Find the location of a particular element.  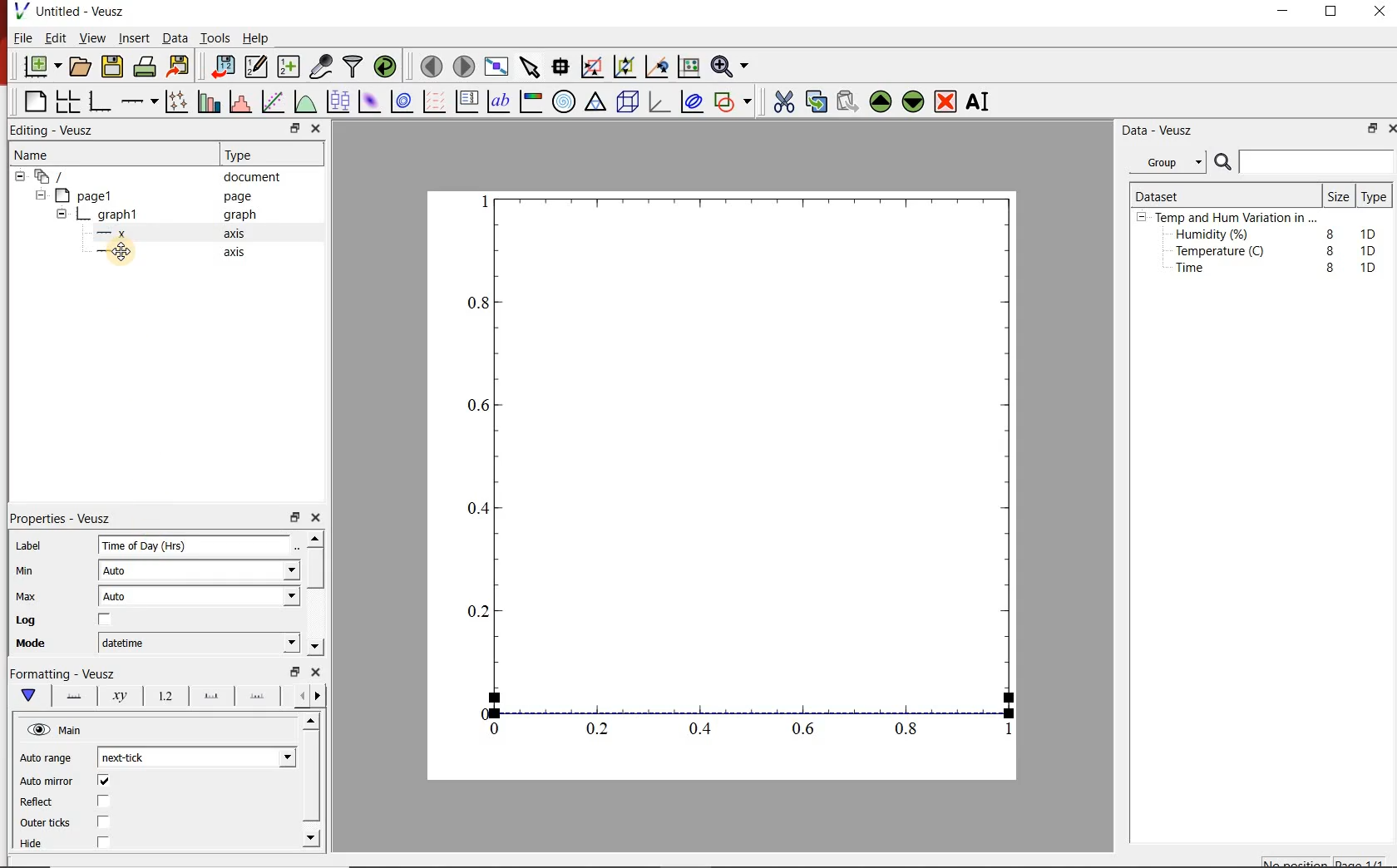

Name is located at coordinates (47, 156).